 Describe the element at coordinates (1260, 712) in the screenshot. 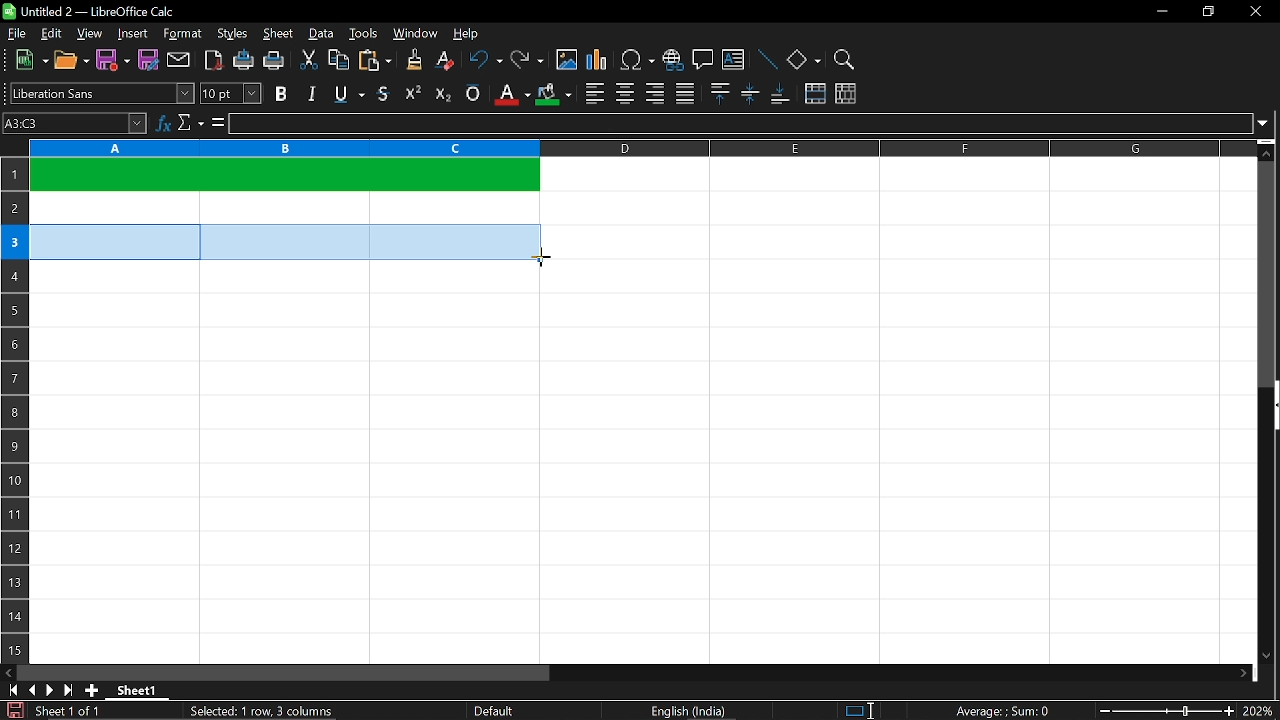

I see `current zoom` at that location.